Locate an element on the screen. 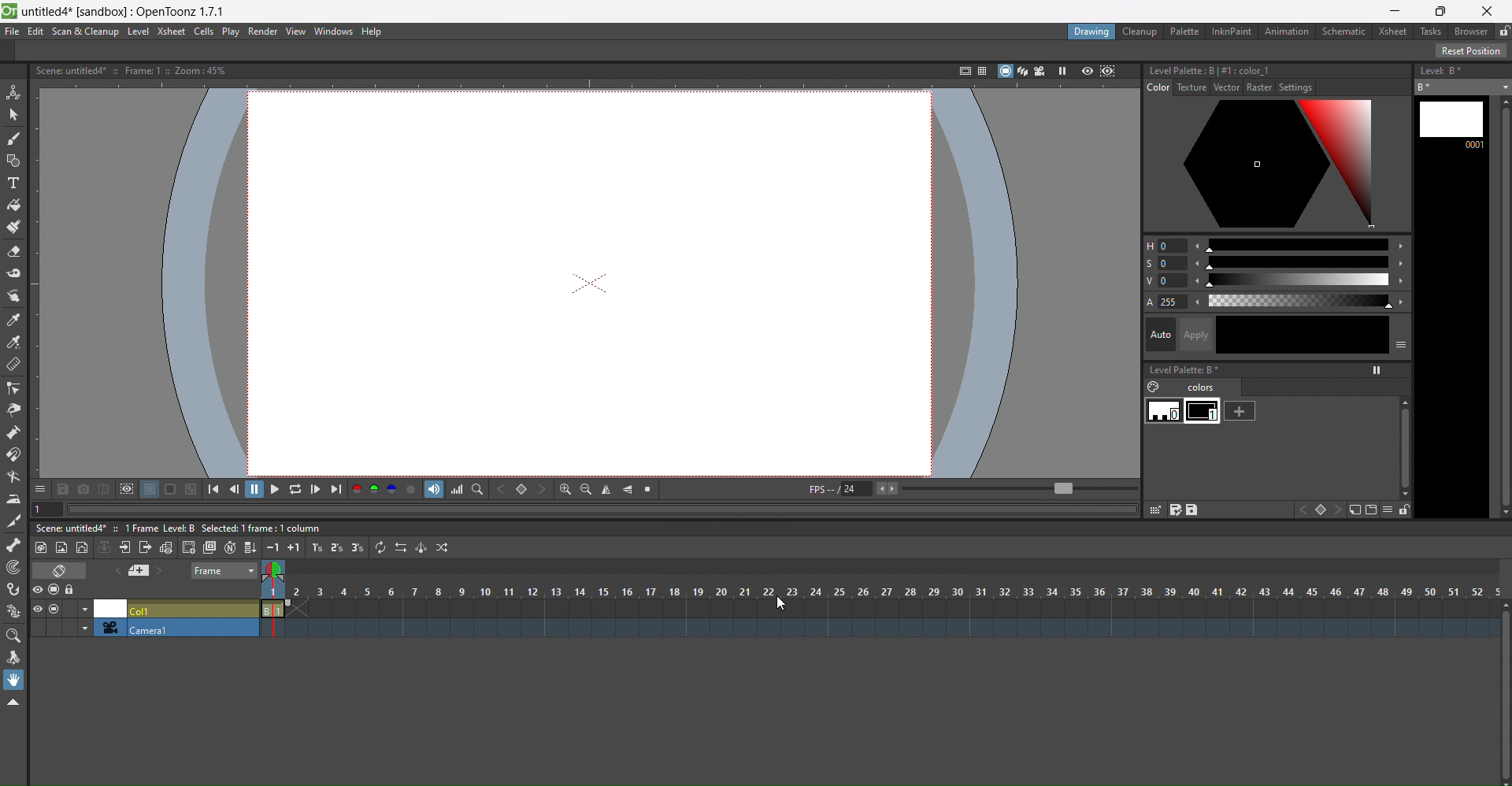 Image resolution: width=1512 pixels, height=786 pixels. selection tool  is located at coordinates (13, 115).